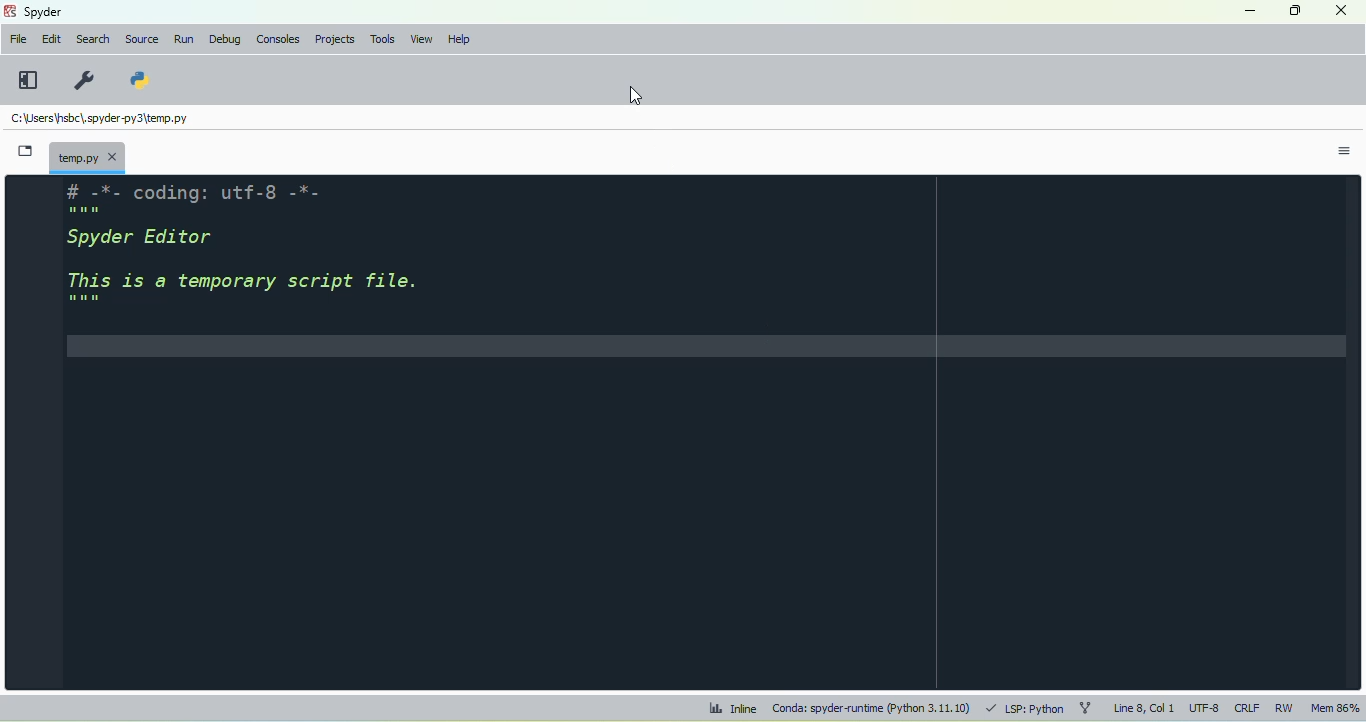 This screenshot has height=722, width=1366. What do you see at coordinates (871, 708) in the screenshot?
I see `conda: spyder-runtime (python 3. 11. 10)` at bounding box center [871, 708].